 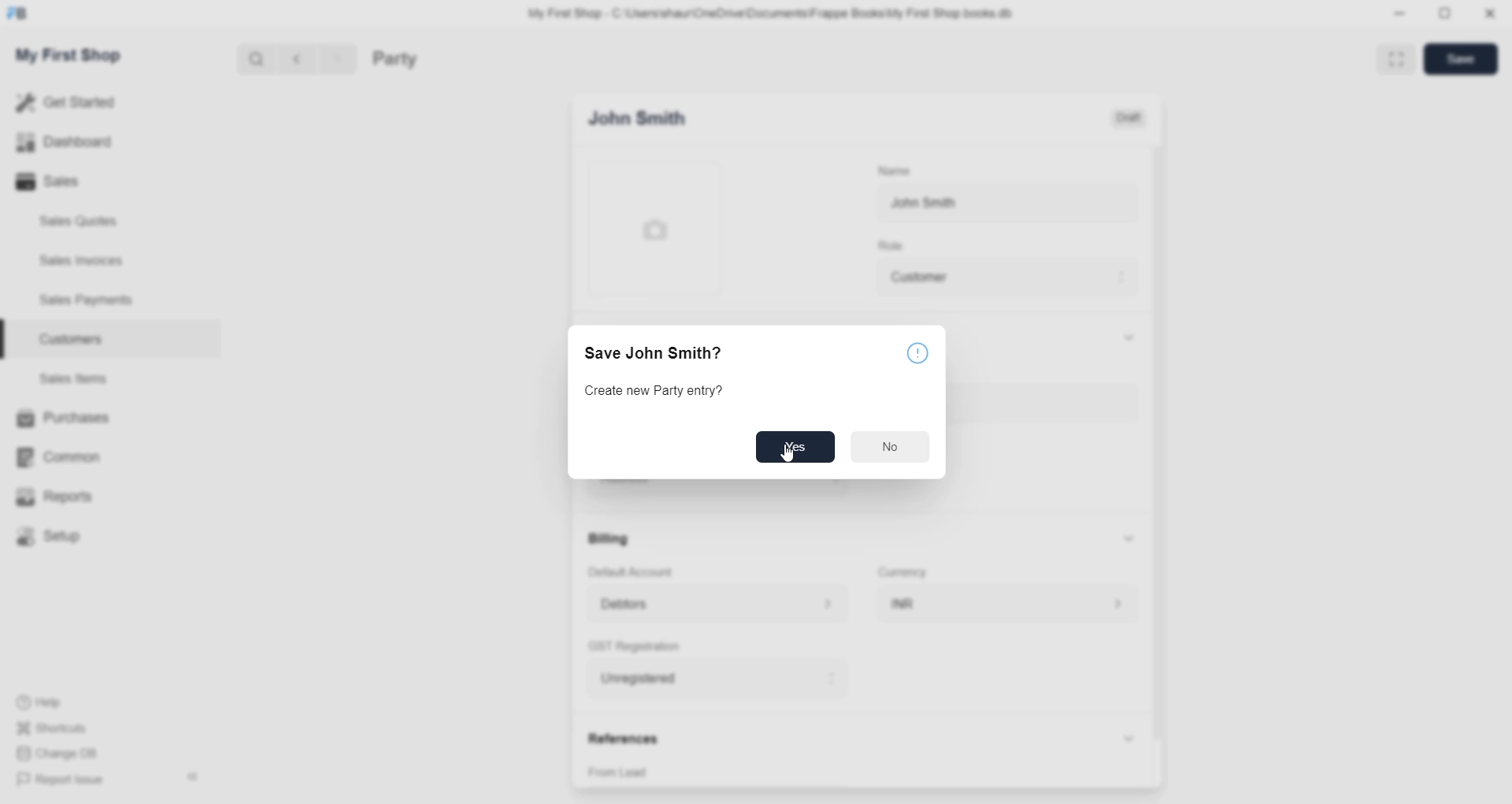 I want to click on References, so click(x=627, y=736).